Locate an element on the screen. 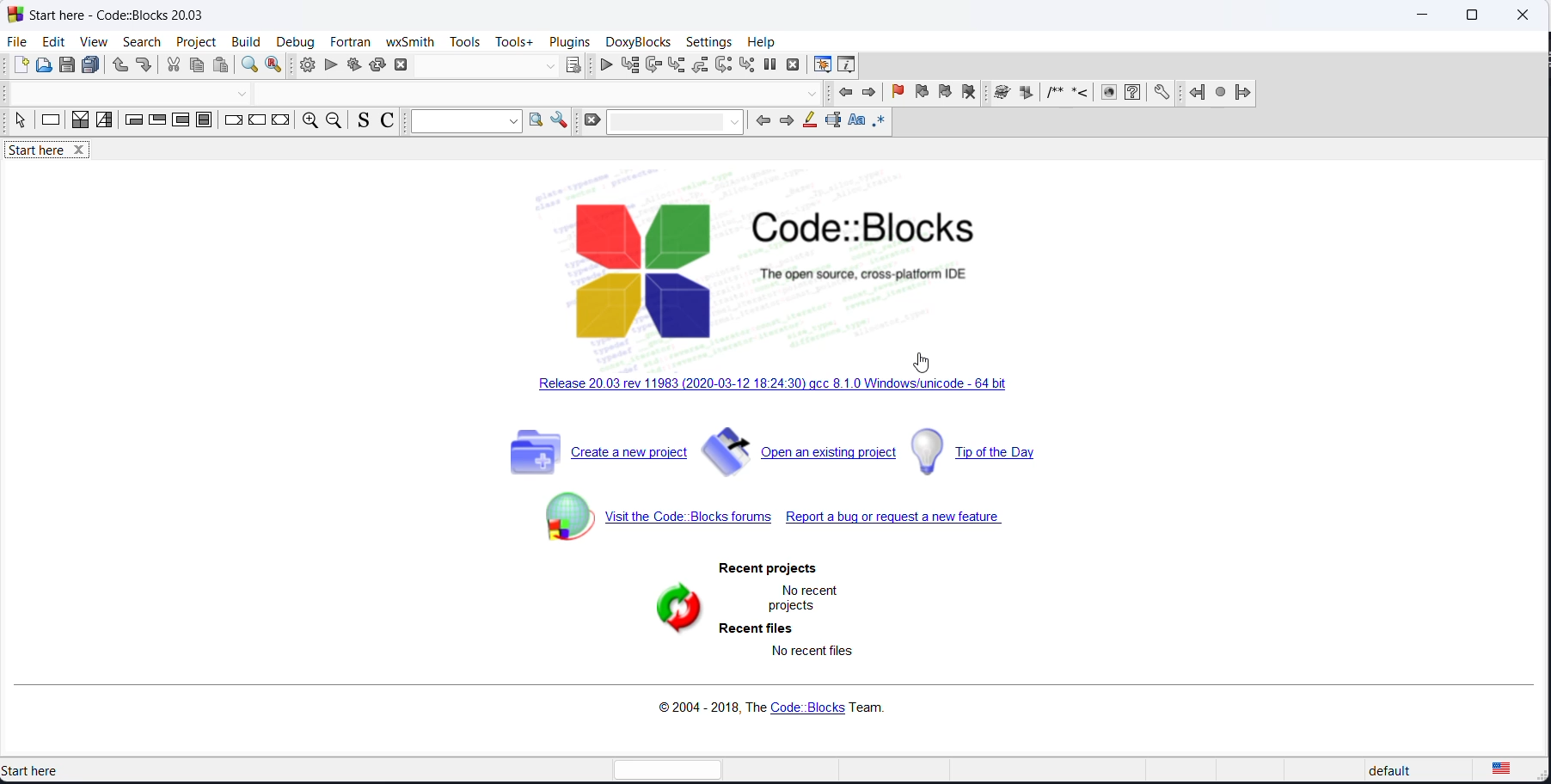 Image resolution: width=1551 pixels, height=784 pixels. rebuild is located at coordinates (377, 66).